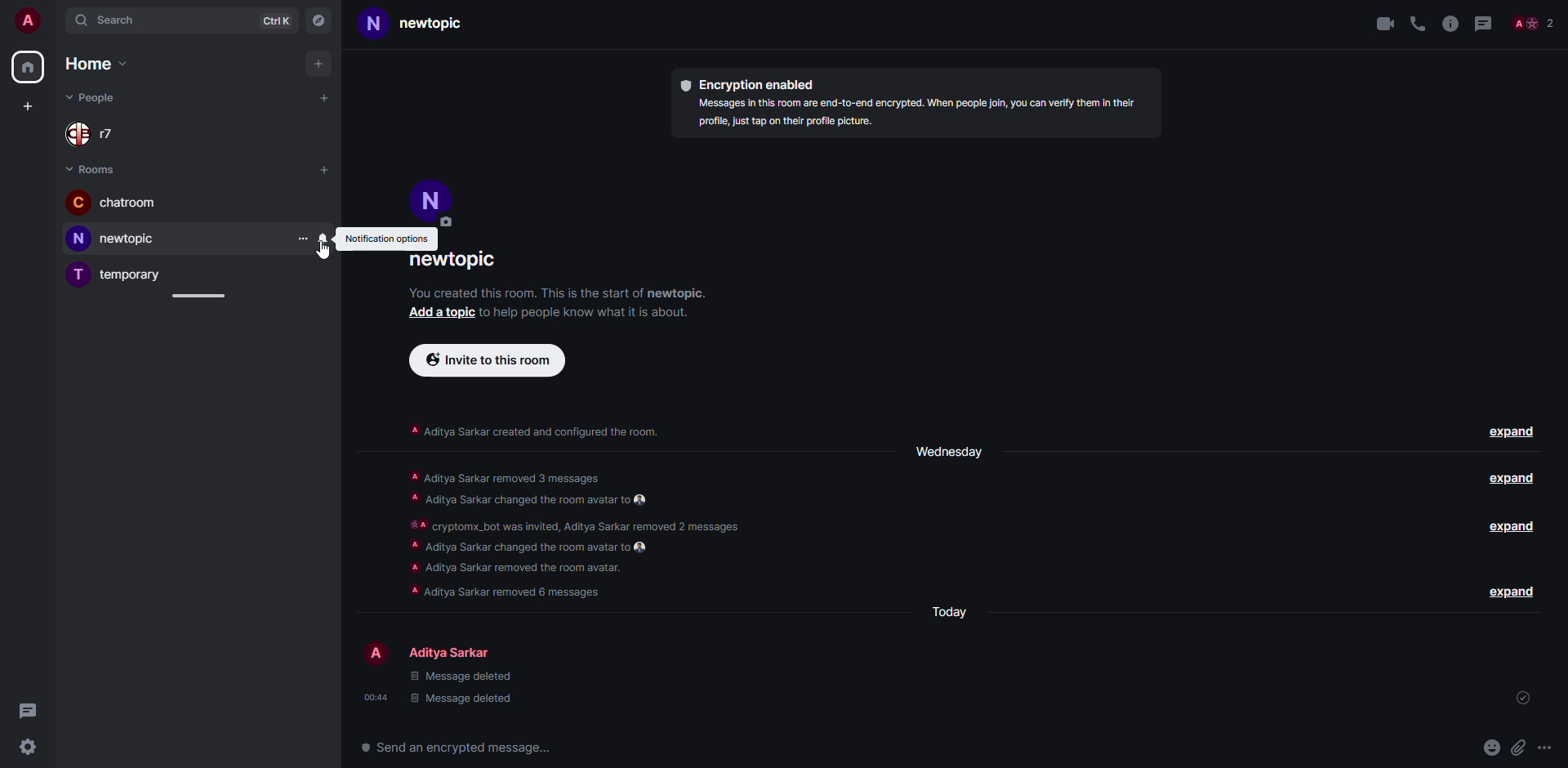  I want to click on add, so click(325, 169).